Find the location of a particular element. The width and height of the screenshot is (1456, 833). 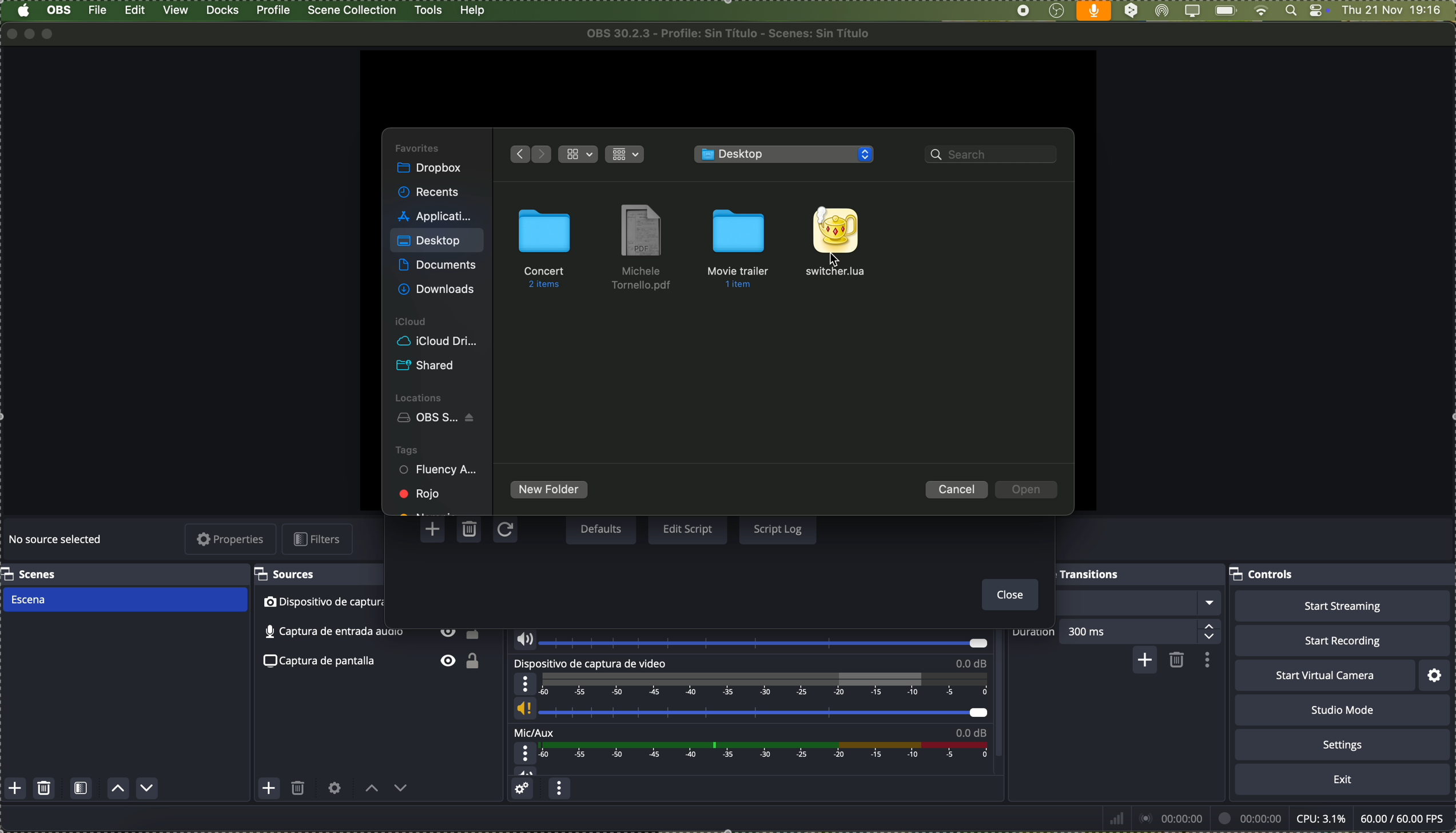

grid view is located at coordinates (627, 153).